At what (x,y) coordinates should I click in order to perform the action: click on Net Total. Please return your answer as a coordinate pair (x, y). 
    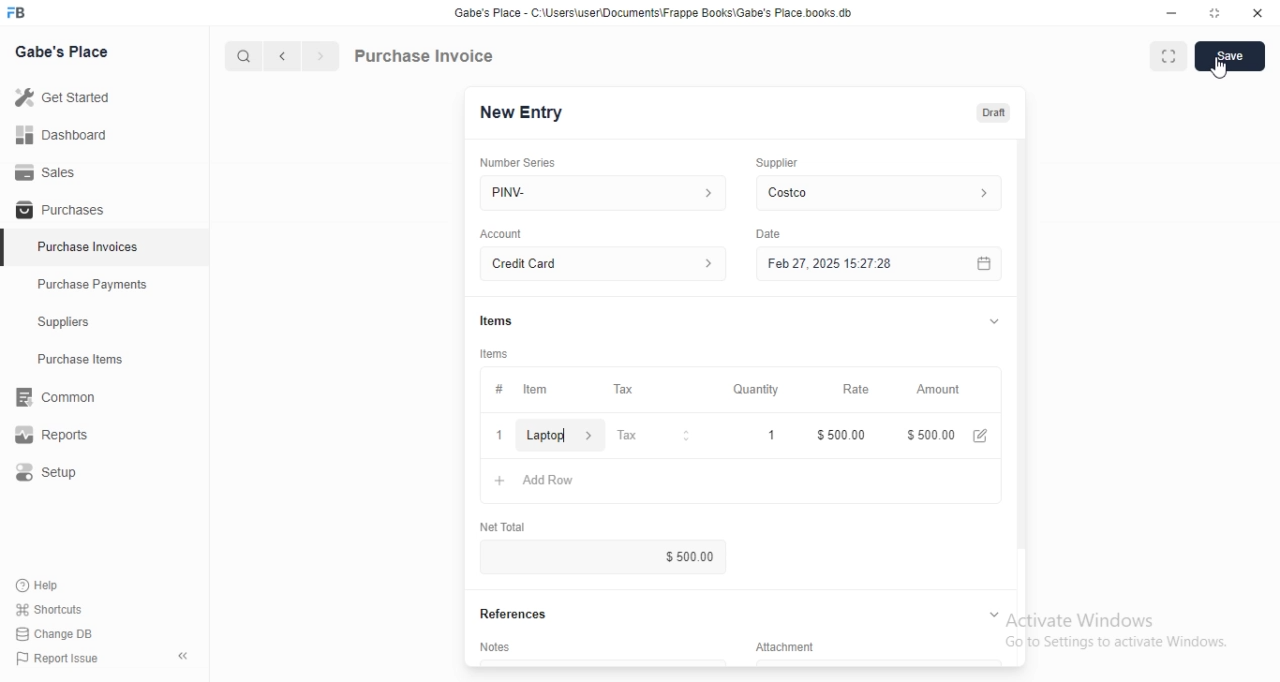
    Looking at the image, I should click on (503, 526).